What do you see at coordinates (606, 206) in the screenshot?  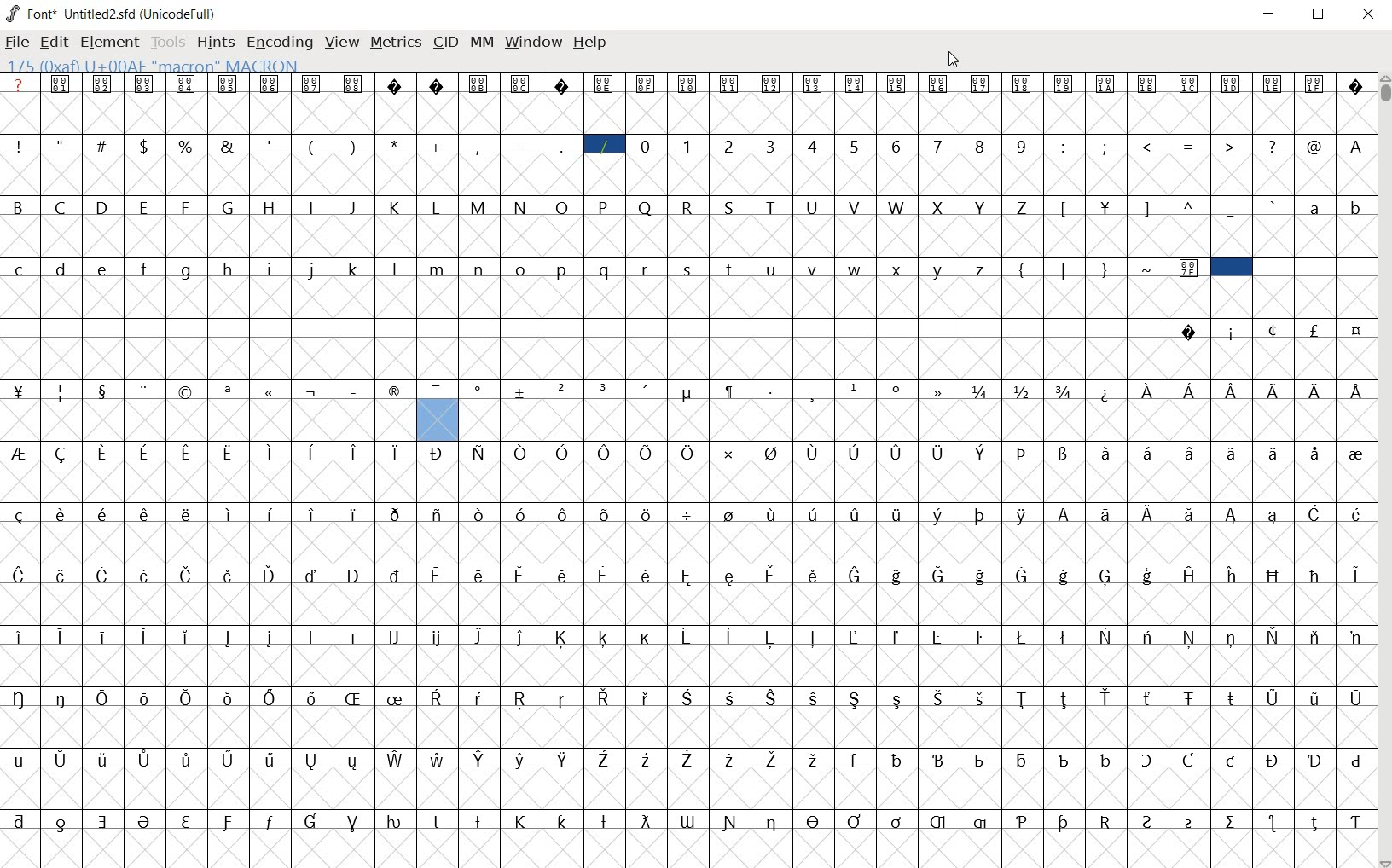 I see `P` at bounding box center [606, 206].